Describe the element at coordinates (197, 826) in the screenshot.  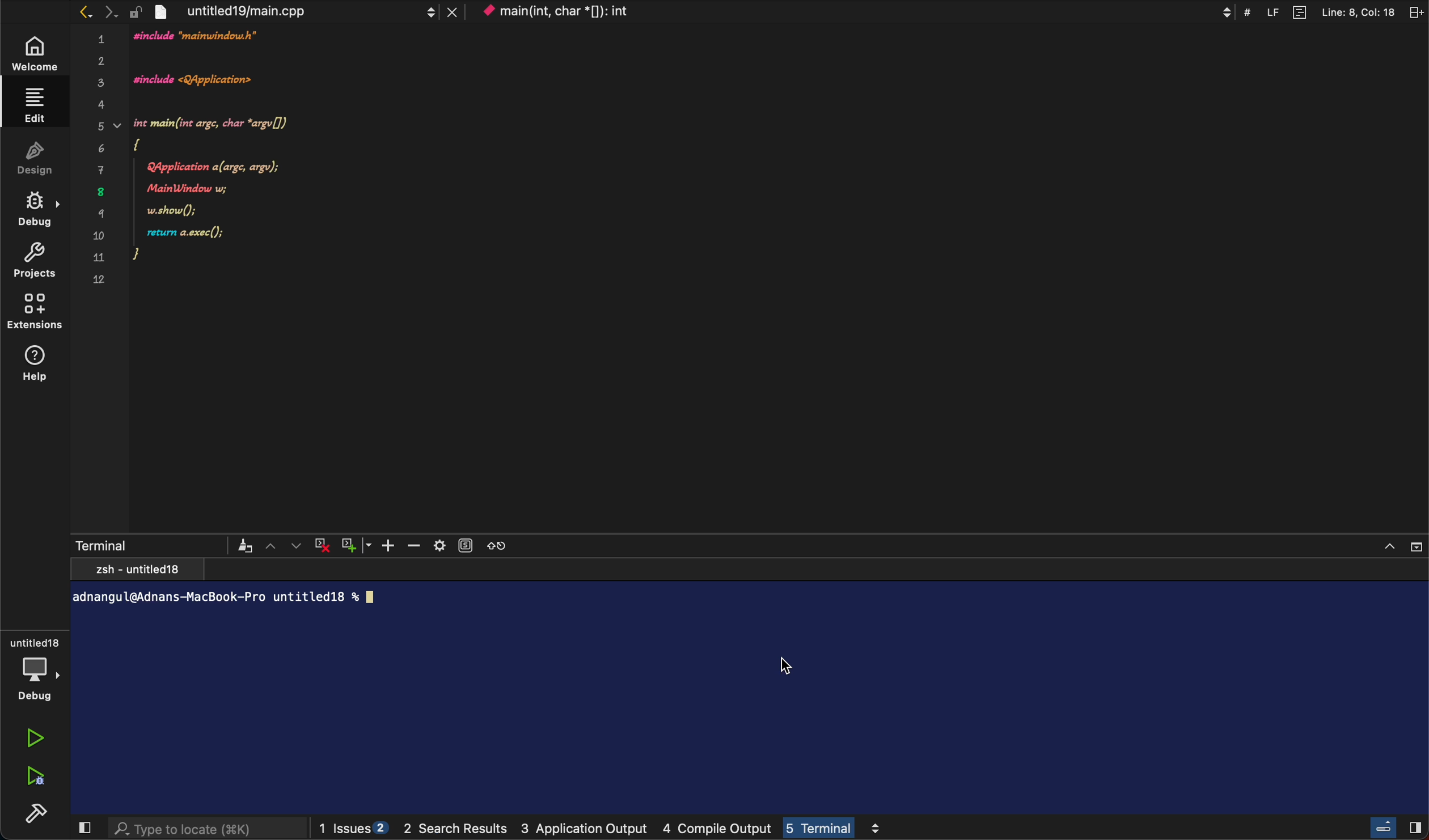
I see `searchbar` at that location.